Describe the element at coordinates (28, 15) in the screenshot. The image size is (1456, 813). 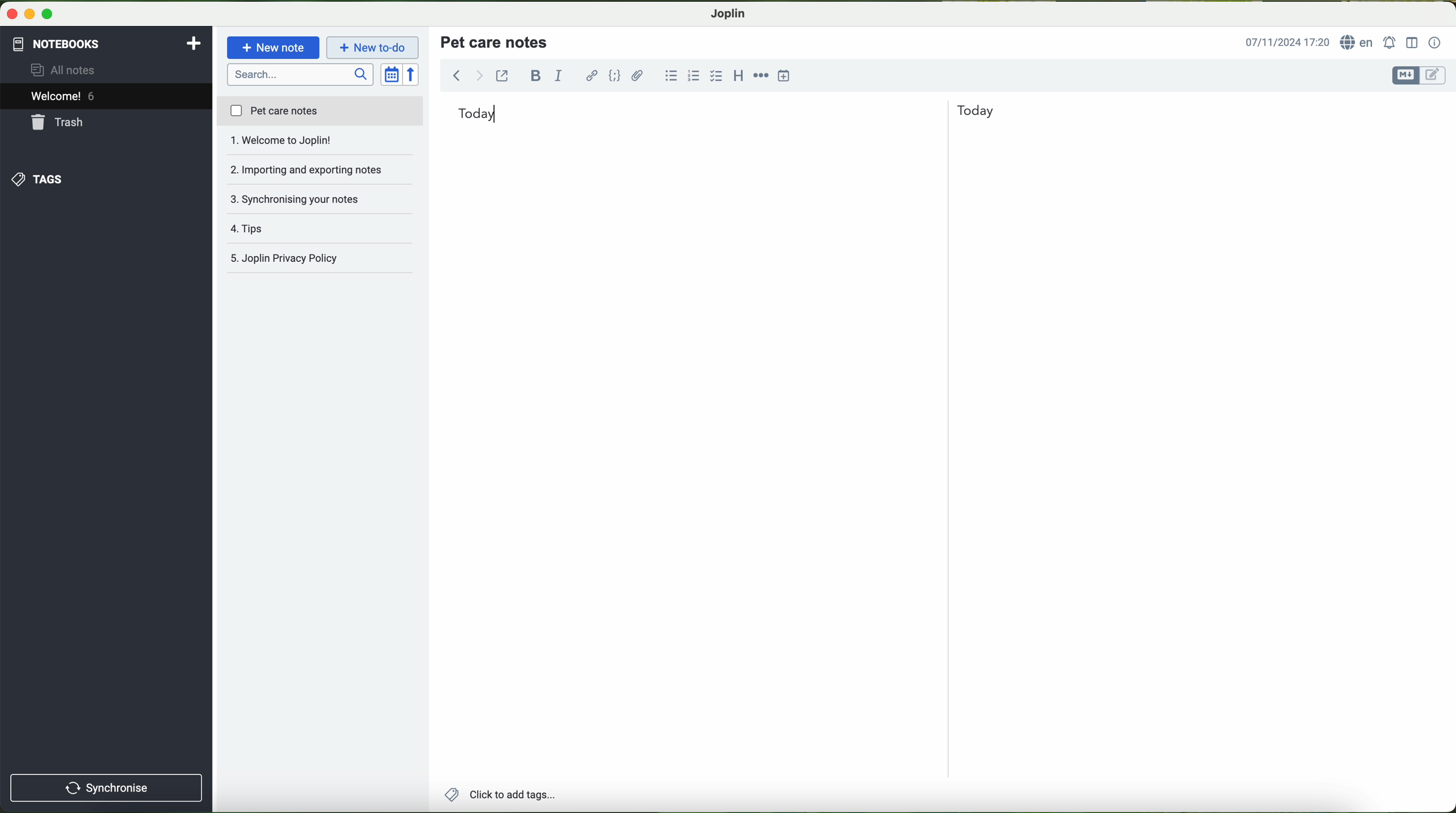
I see `screen buttons` at that location.